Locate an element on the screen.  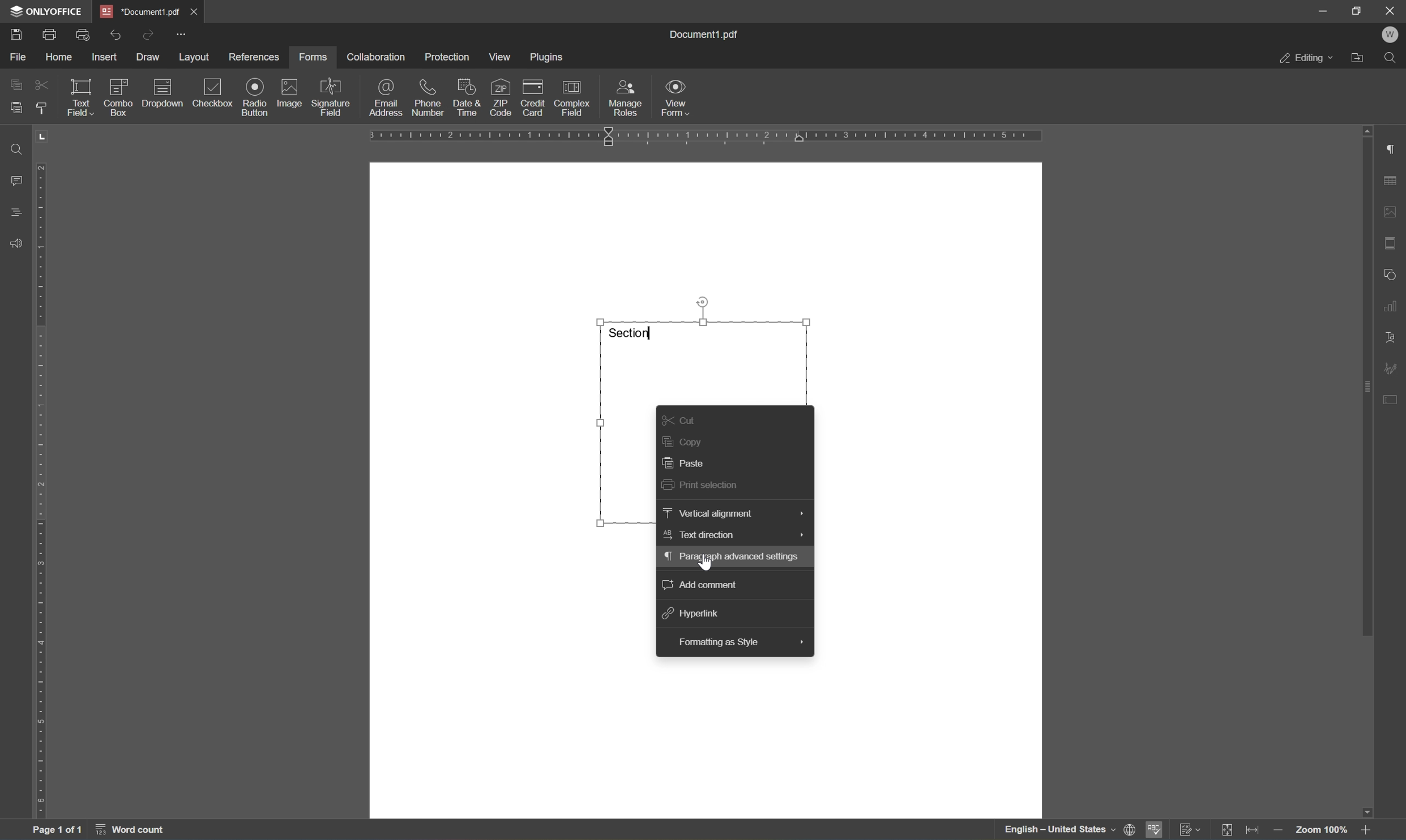
save is located at coordinates (21, 34).